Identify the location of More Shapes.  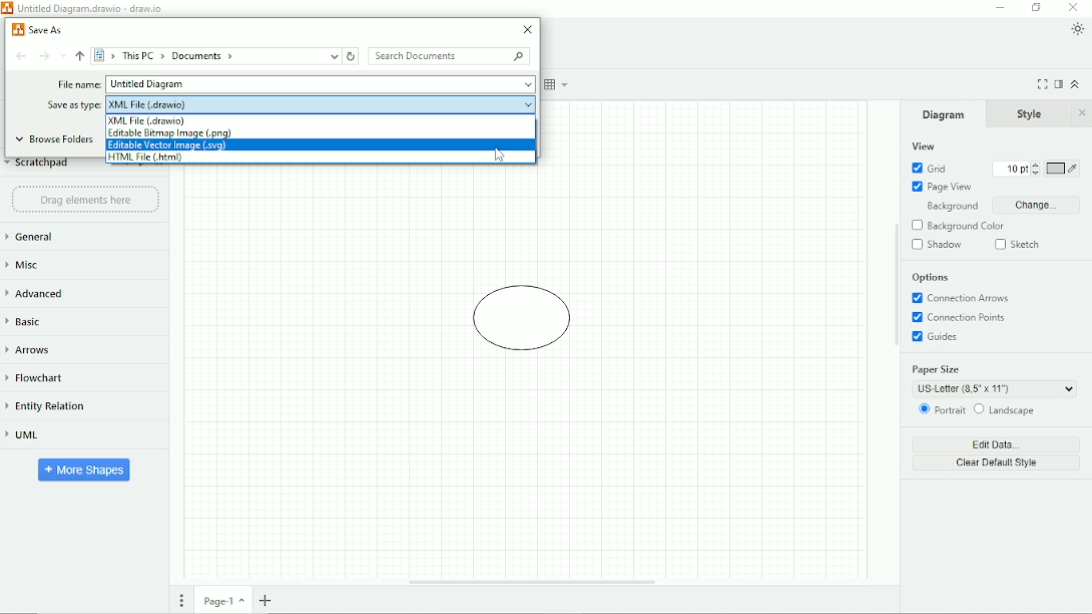
(85, 469).